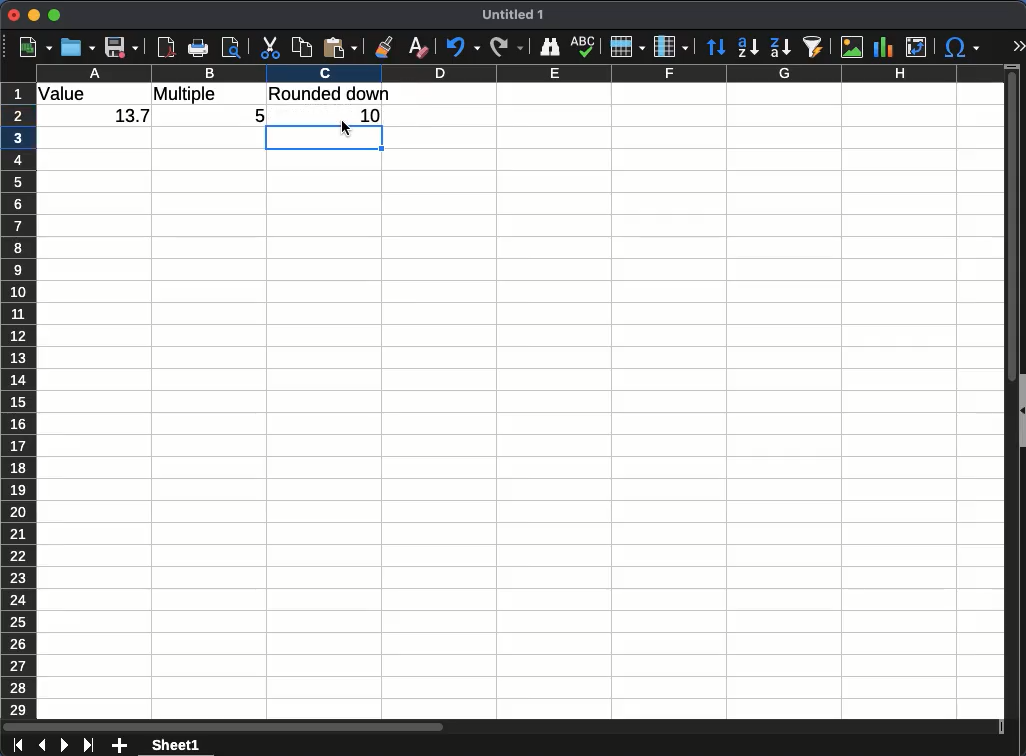 The image size is (1026, 756). Describe the element at coordinates (174, 746) in the screenshot. I see `sheet 1` at that location.